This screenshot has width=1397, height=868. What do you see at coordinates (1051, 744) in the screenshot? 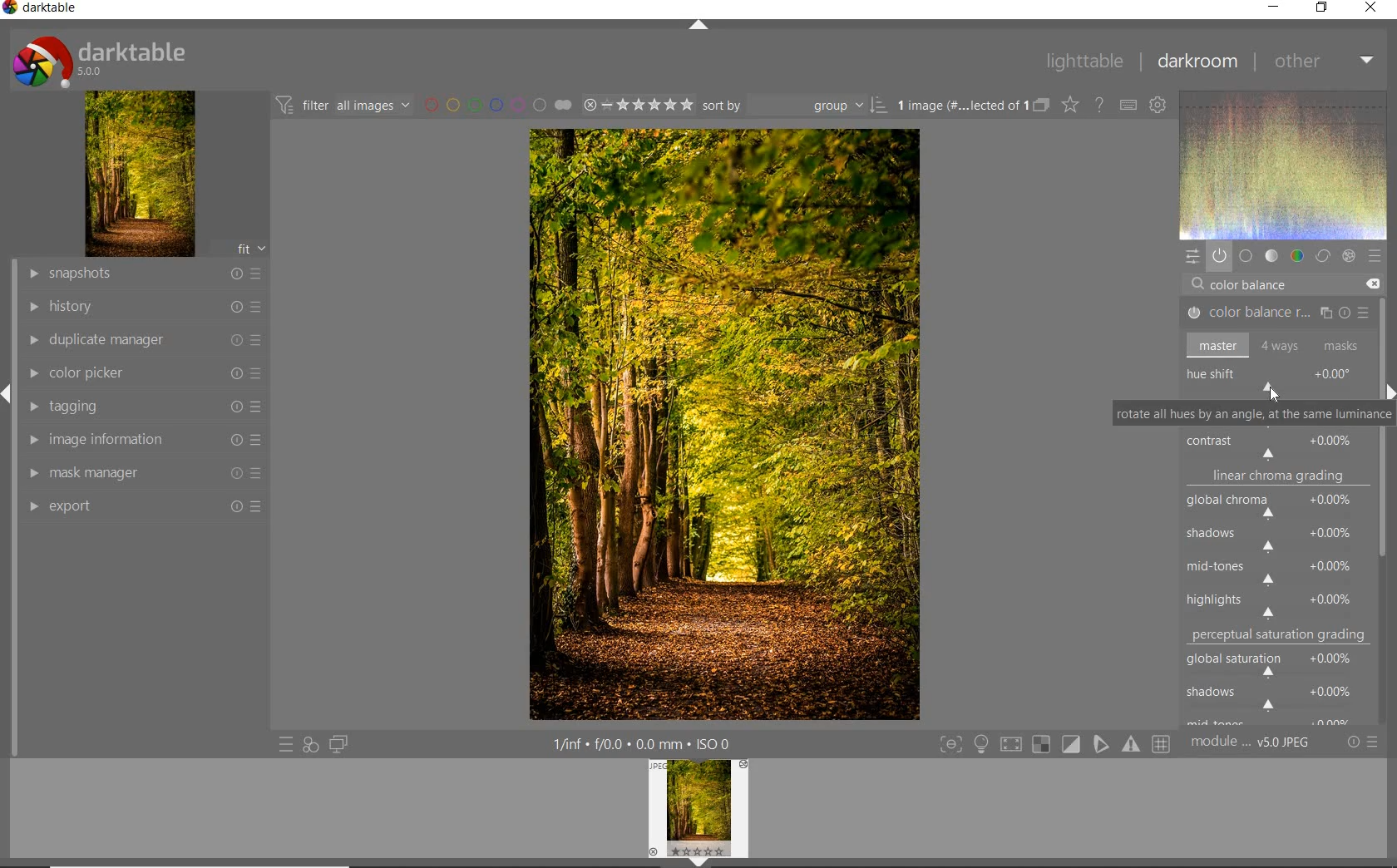
I see `toggle modes` at bounding box center [1051, 744].